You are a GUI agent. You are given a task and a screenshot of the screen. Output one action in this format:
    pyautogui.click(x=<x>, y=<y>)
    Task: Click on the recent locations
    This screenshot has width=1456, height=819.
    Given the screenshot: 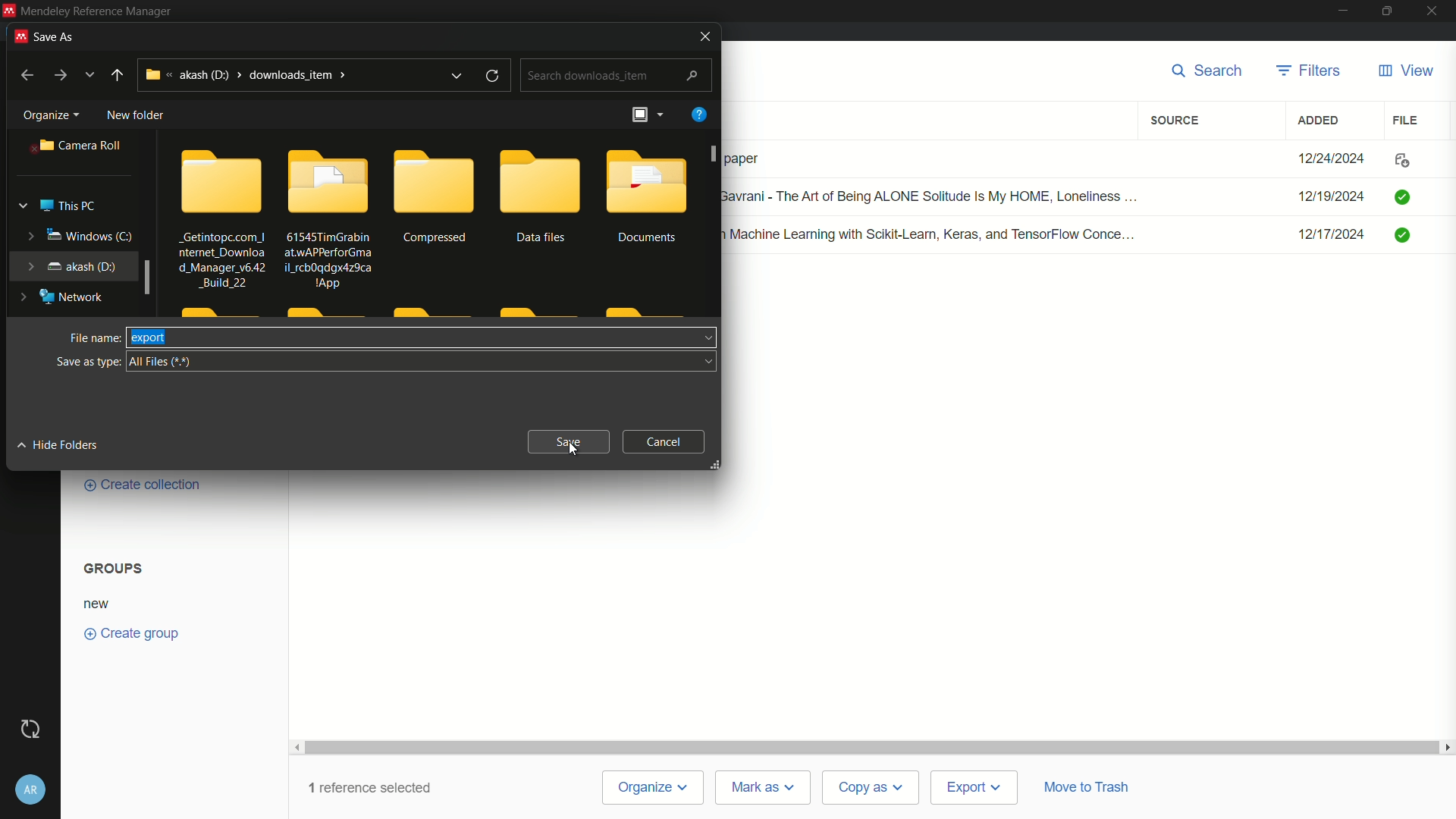 What is the action you would take?
    pyautogui.click(x=88, y=75)
    